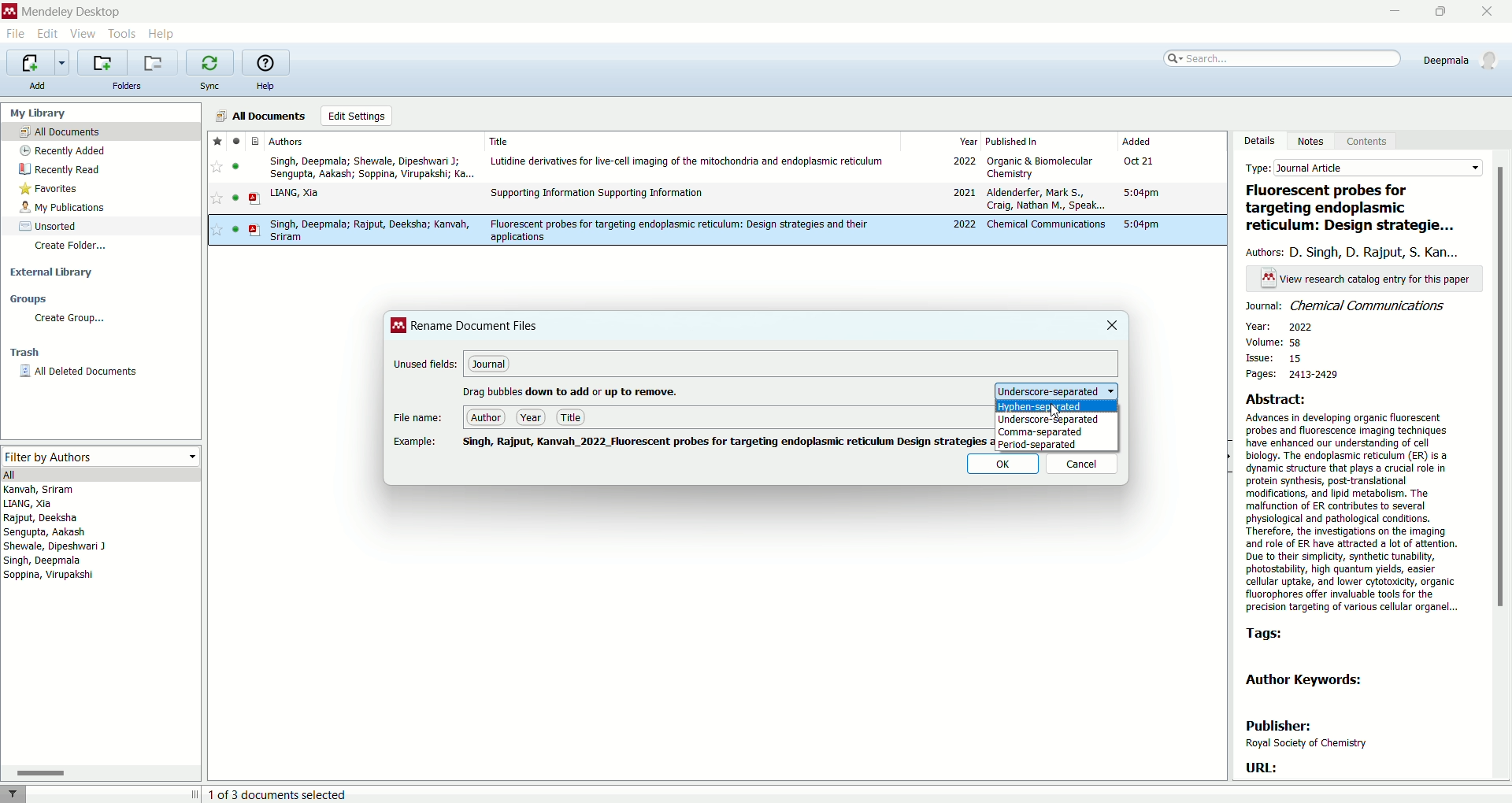 This screenshot has width=1512, height=803. I want to click on year, so click(942, 140).